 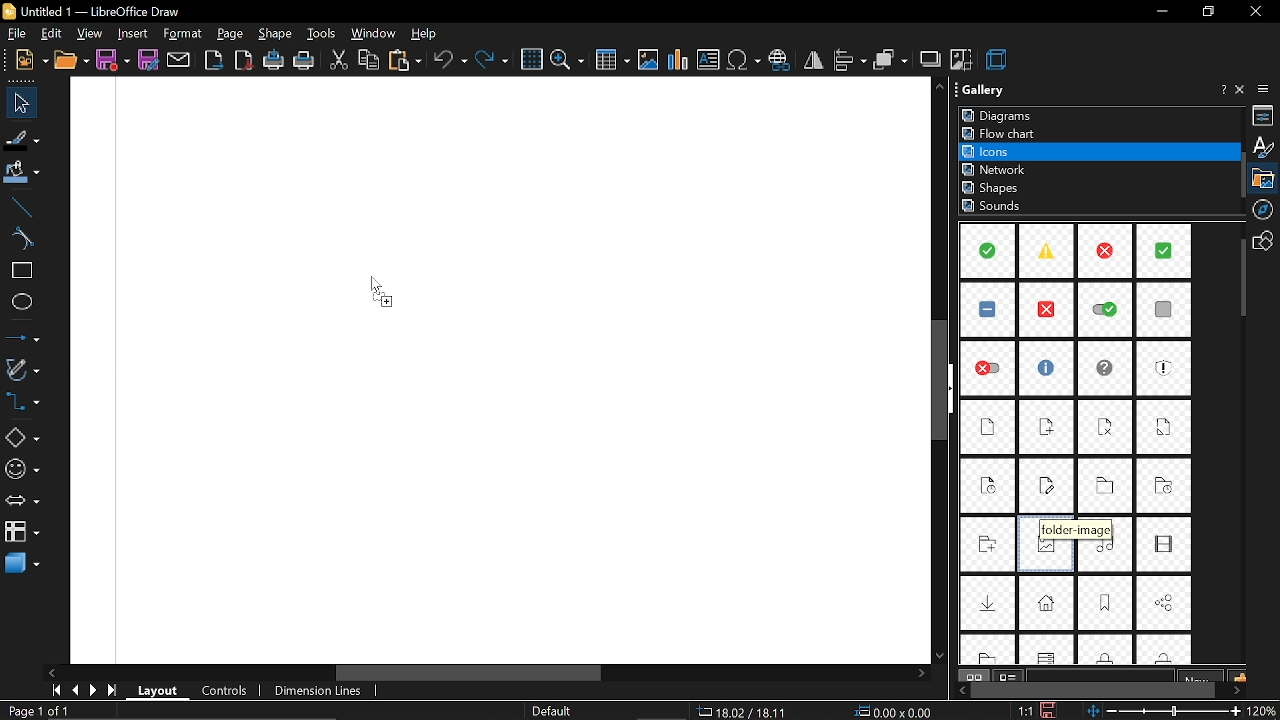 What do you see at coordinates (305, 60) in the screenshot?
I see `print` at bounding box center [305, 60].